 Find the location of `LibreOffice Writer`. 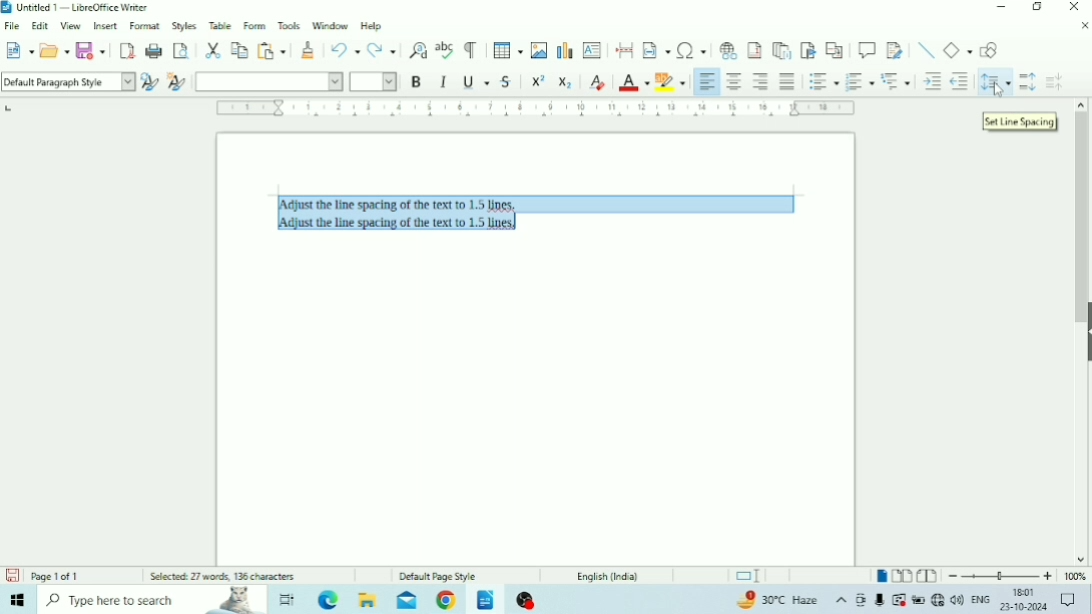

LibreOffice Writer is located at coordinates (484, 600).